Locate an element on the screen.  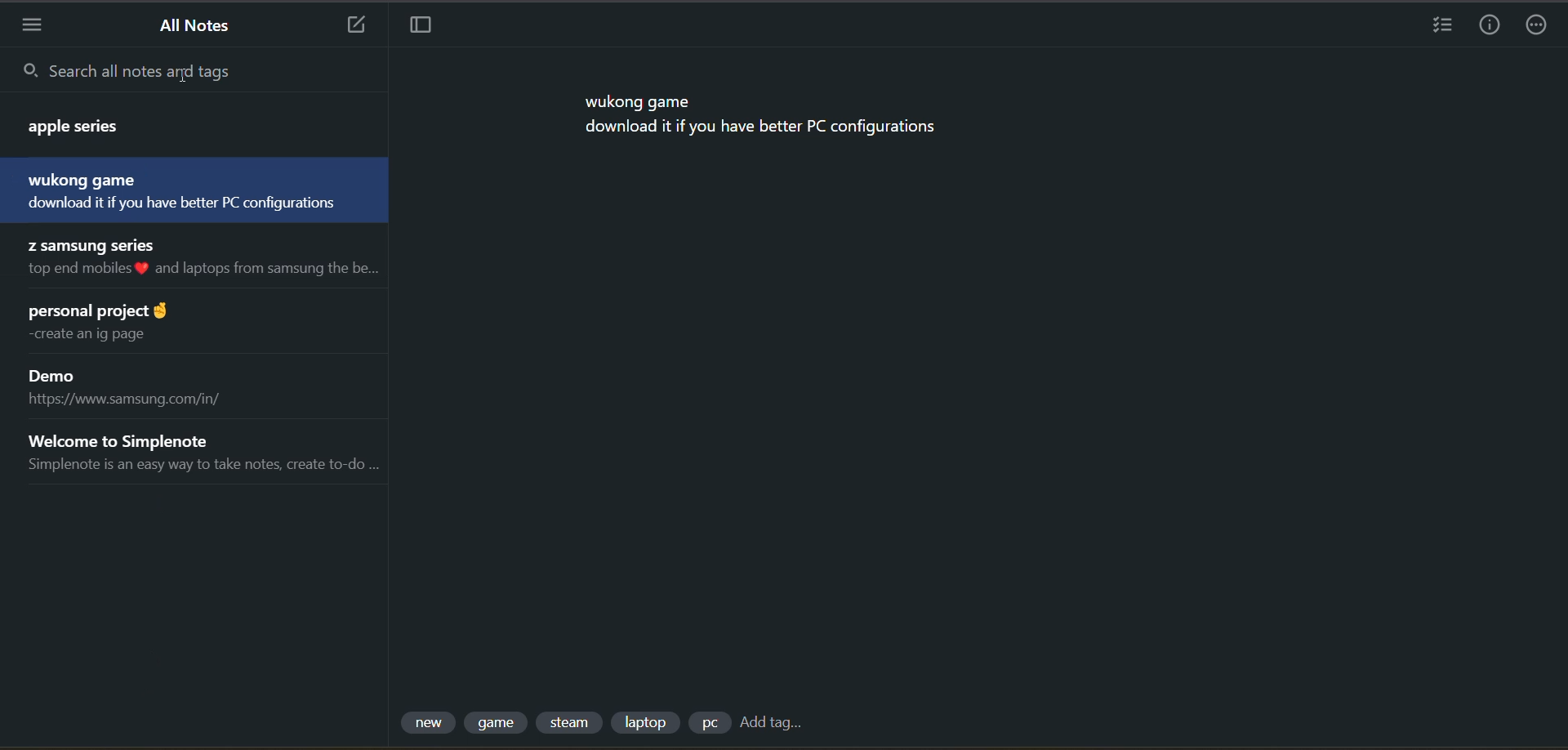
toggle focus mode is located at coordinates (421, 24).